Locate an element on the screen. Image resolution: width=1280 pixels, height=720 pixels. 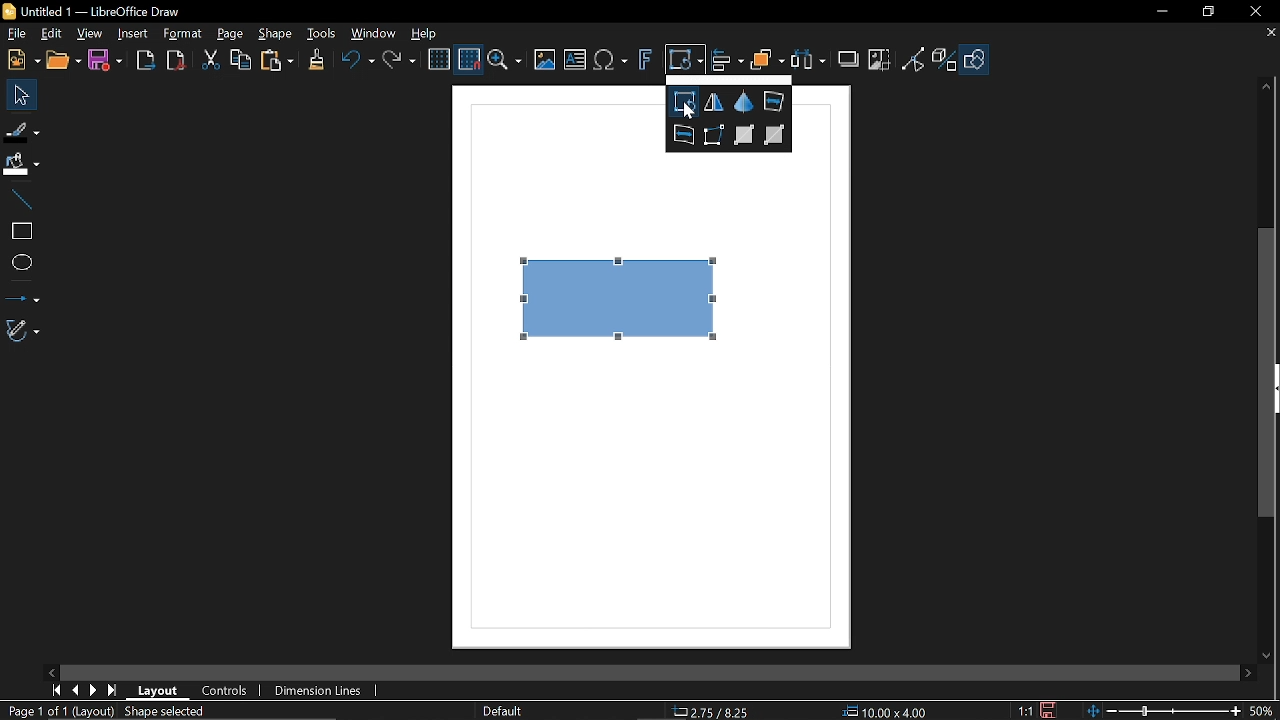
Rectangle (selected diagram) is located at coordinates (622, 293).